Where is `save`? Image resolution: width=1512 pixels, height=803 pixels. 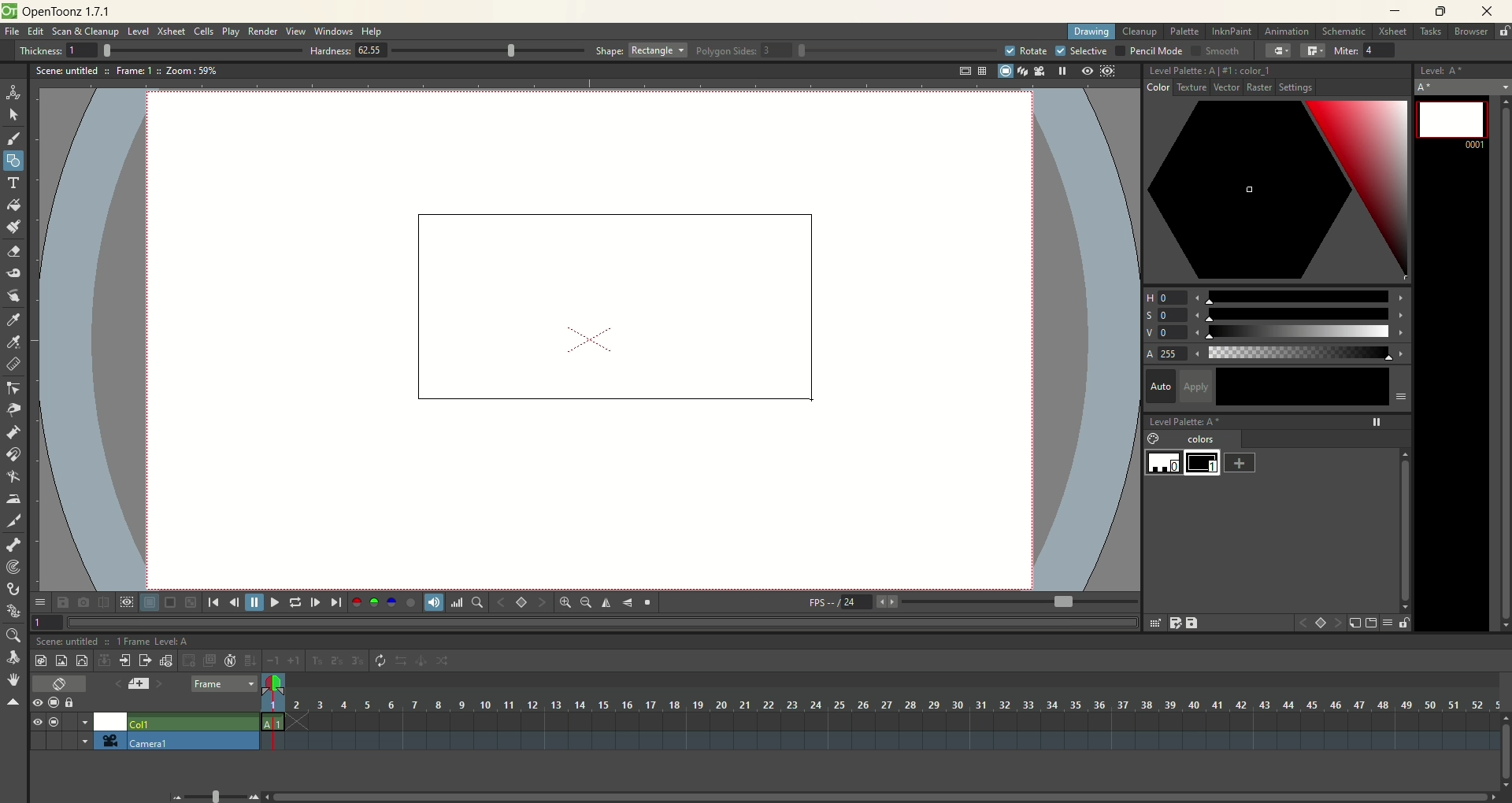 save is located at coordinates (1194, 623).